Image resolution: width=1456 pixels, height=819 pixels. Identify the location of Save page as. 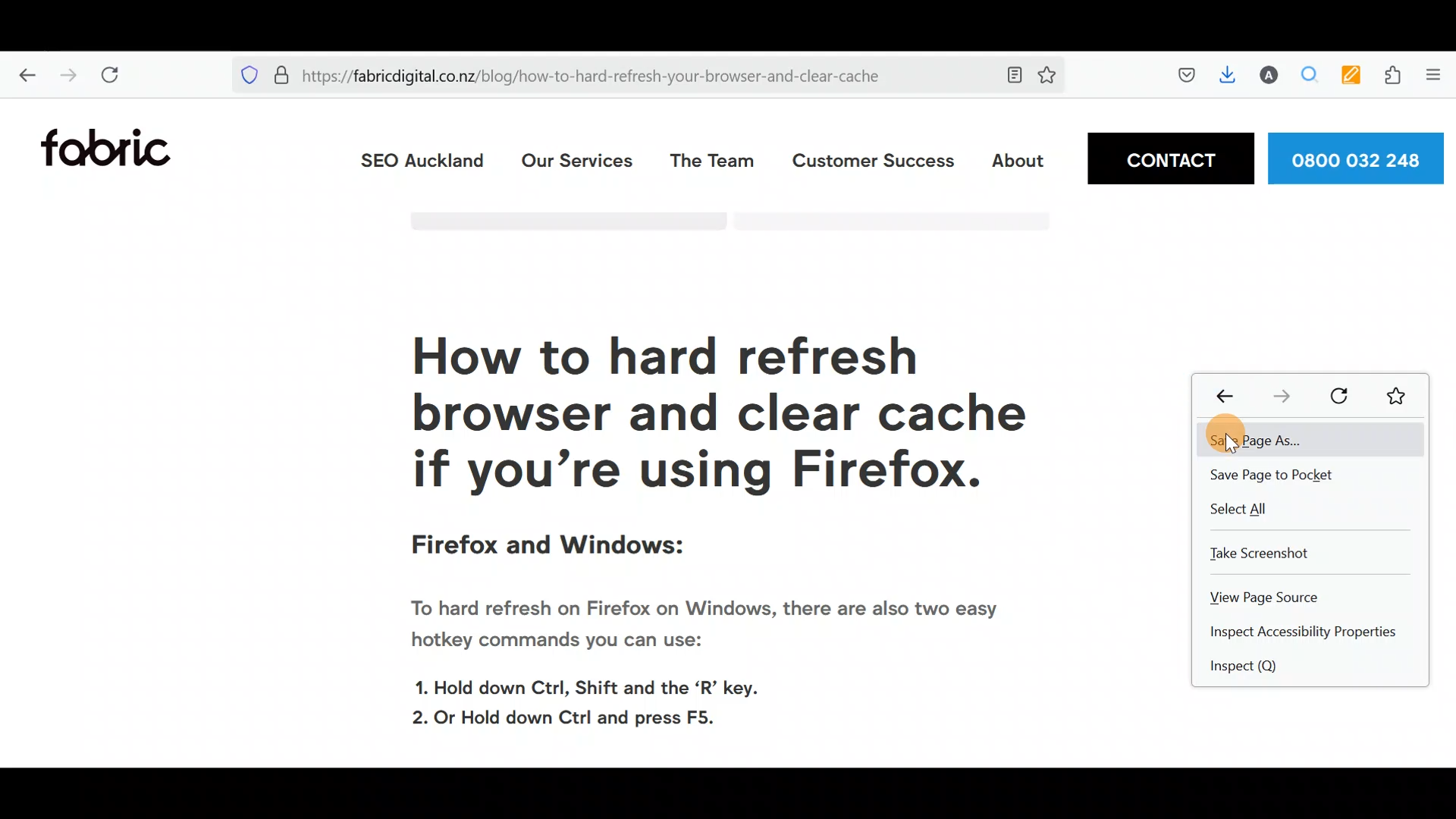
(1307, 441).